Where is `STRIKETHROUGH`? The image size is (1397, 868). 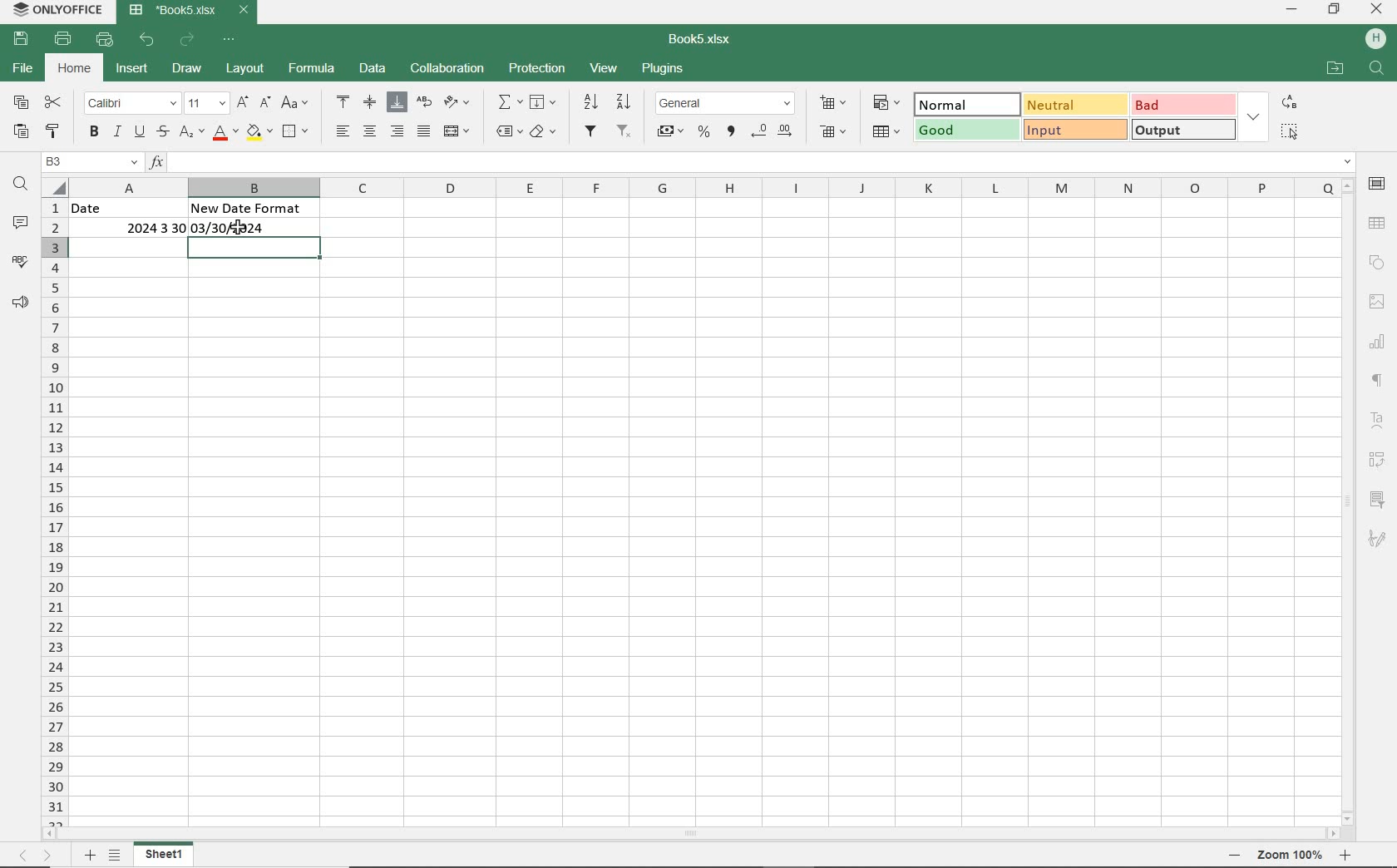 STRIKETHROUGH is located at coordinates (163, 133).